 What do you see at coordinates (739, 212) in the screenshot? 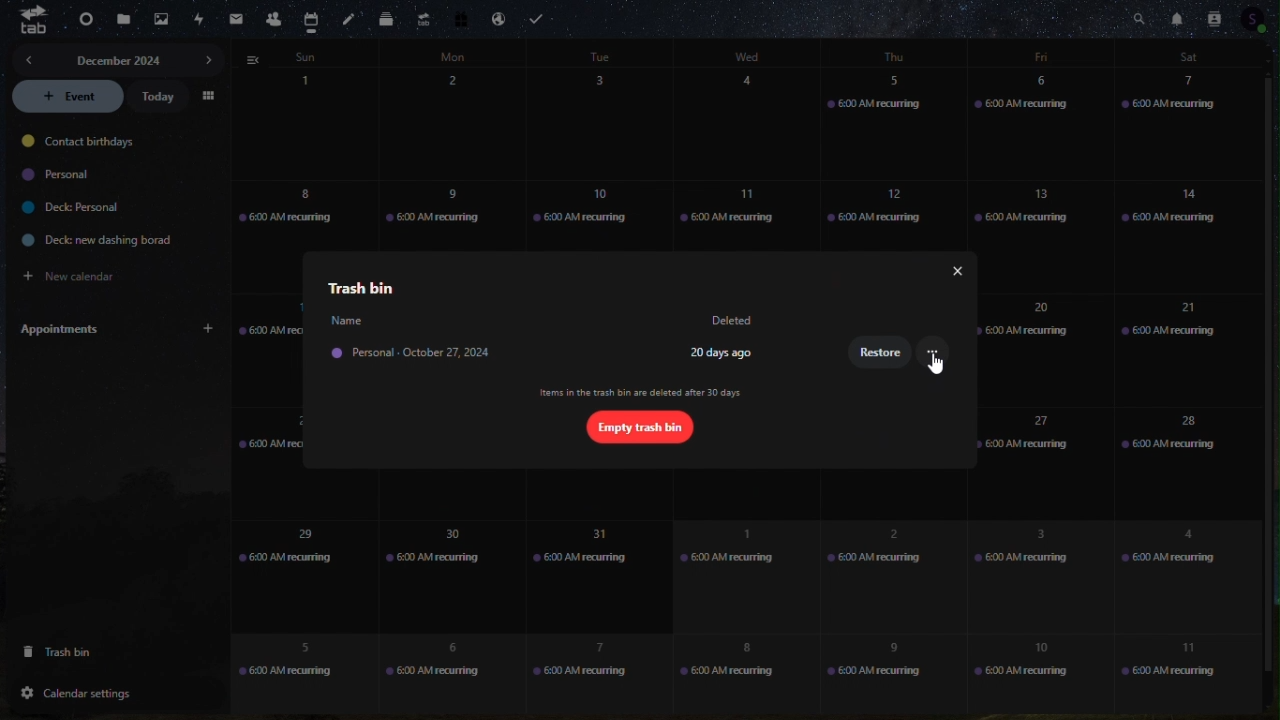
I see `11` at bounding box center [739, 212].